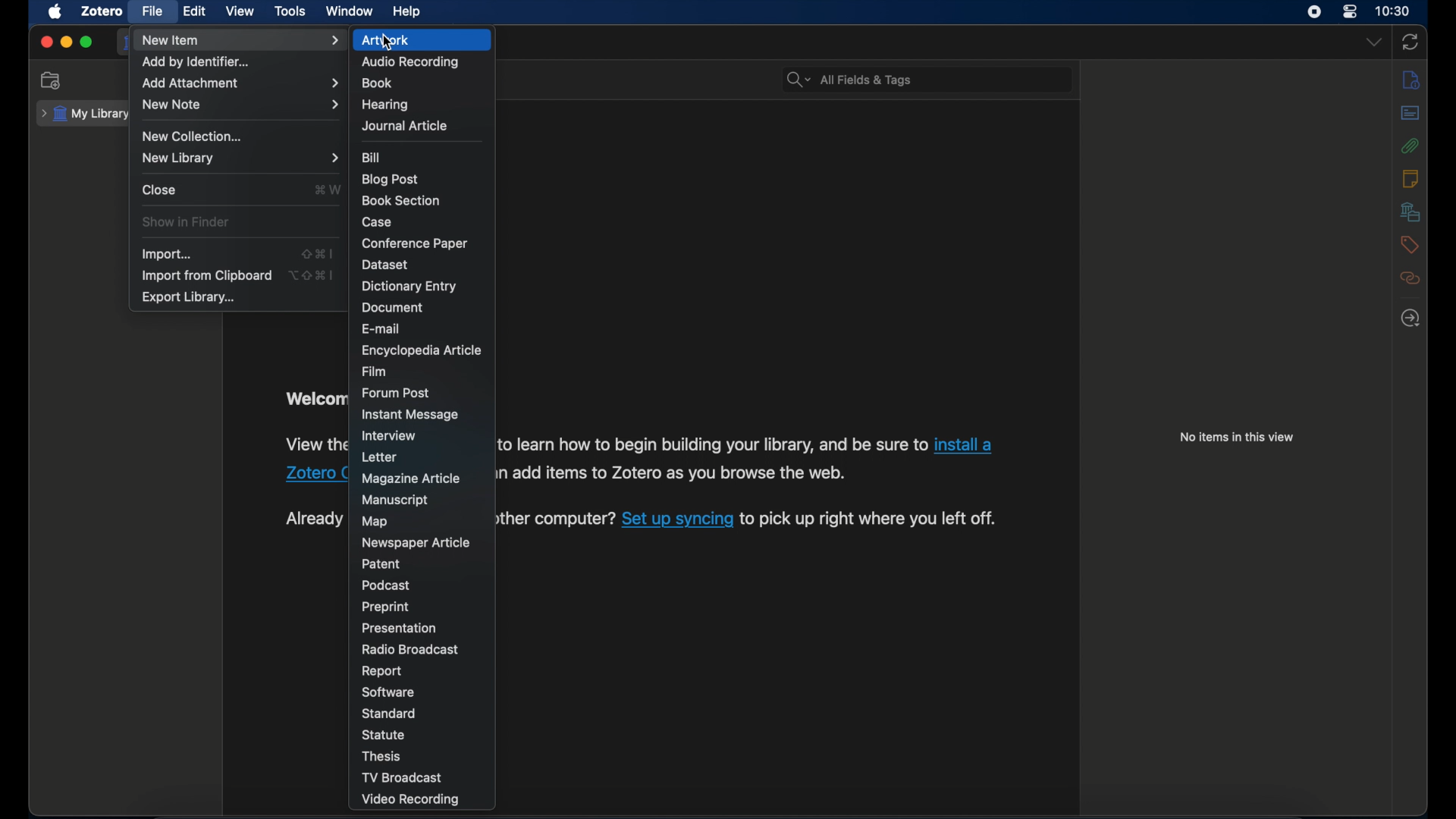 This screenshot has height=819, width=1456. What do you see at coordinates (375, 521) in the screenshot?
I see `map` at bounding box center [375, 521].